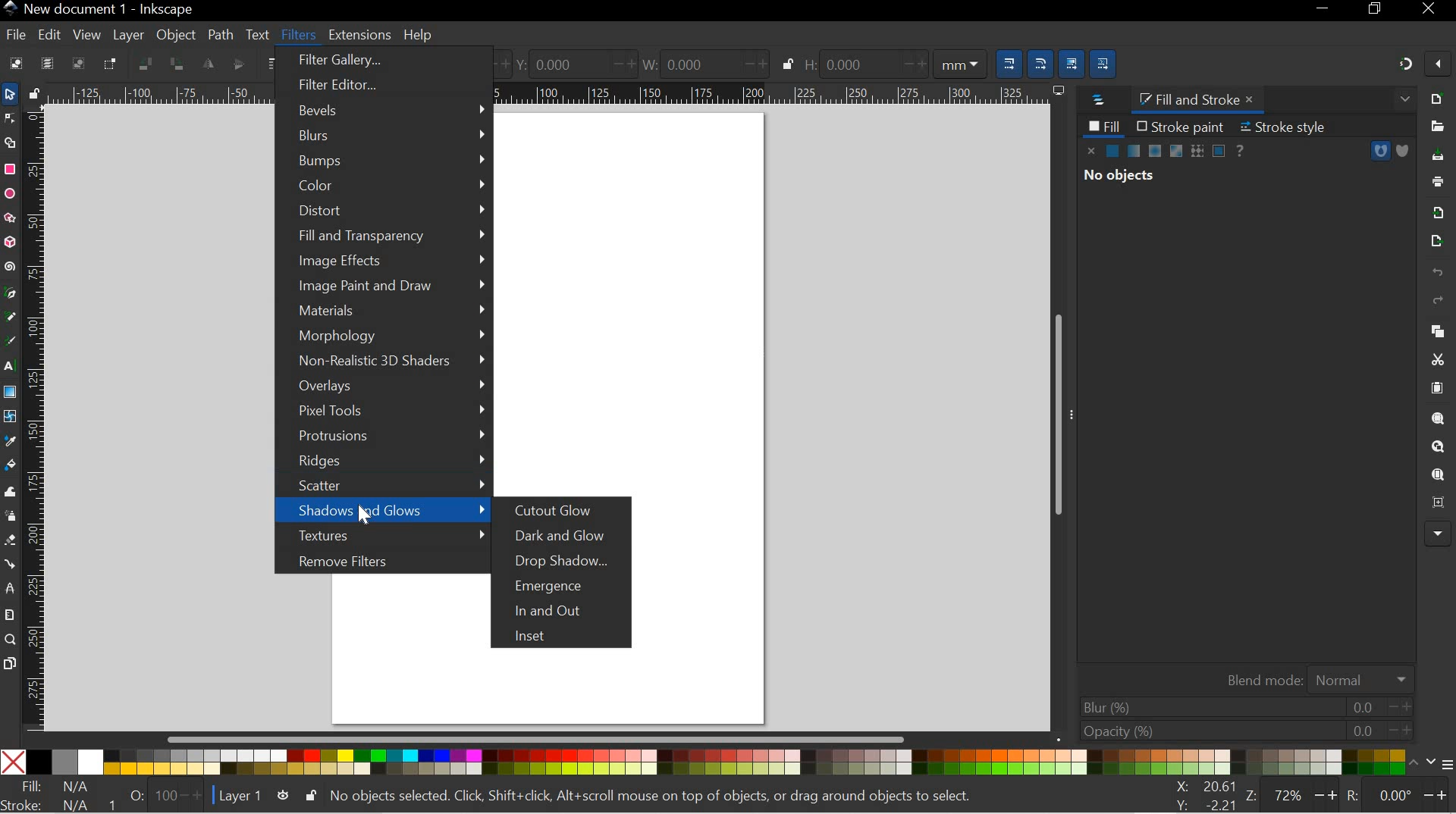  Describe the element at coordinates (143, 61) in the screenshot. I see `OBJECT ROTATE 90 WW` at that location.